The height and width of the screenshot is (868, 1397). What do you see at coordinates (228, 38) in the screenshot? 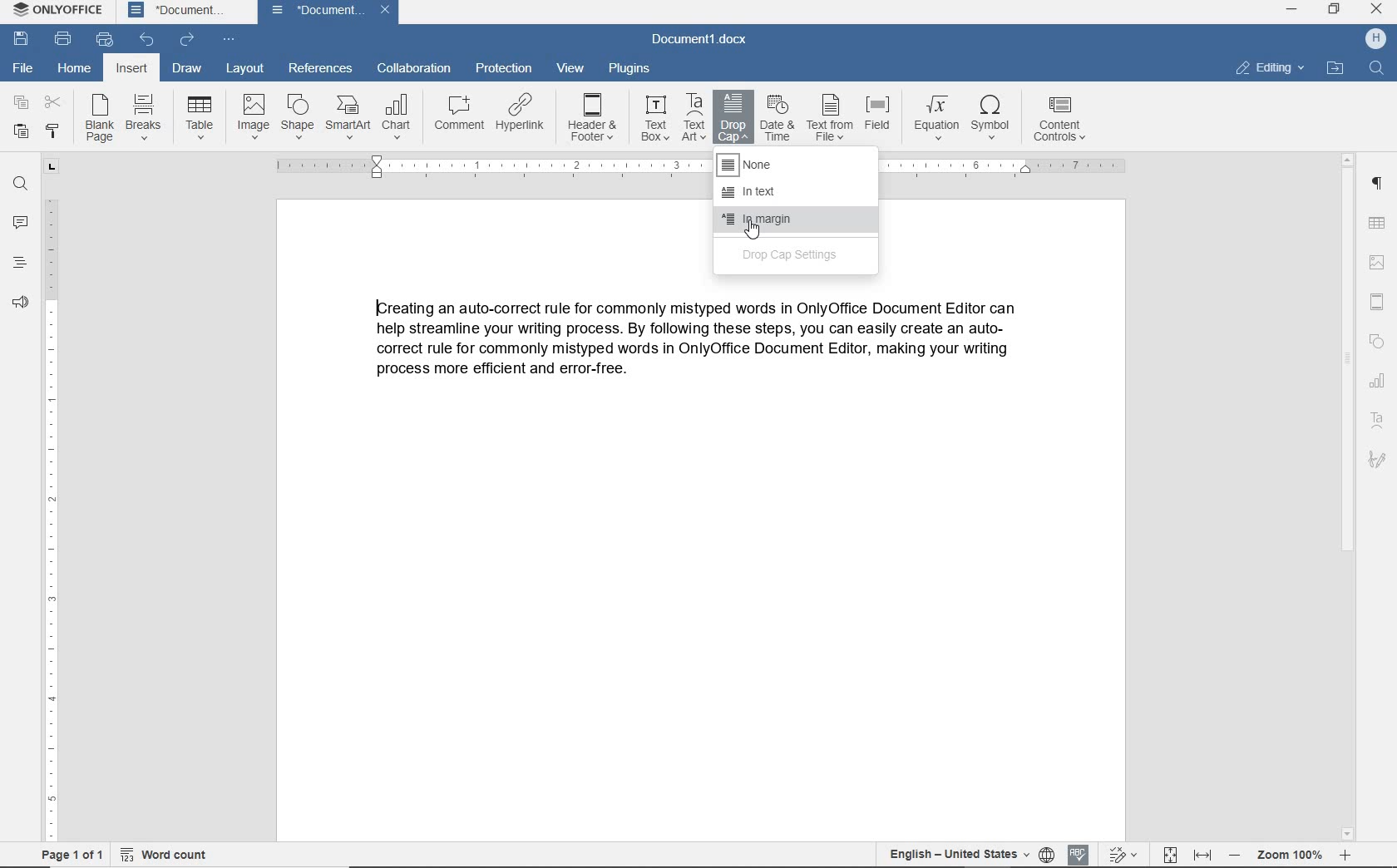
I see `customize quick access toolbar` at bounding box center [228, 38].